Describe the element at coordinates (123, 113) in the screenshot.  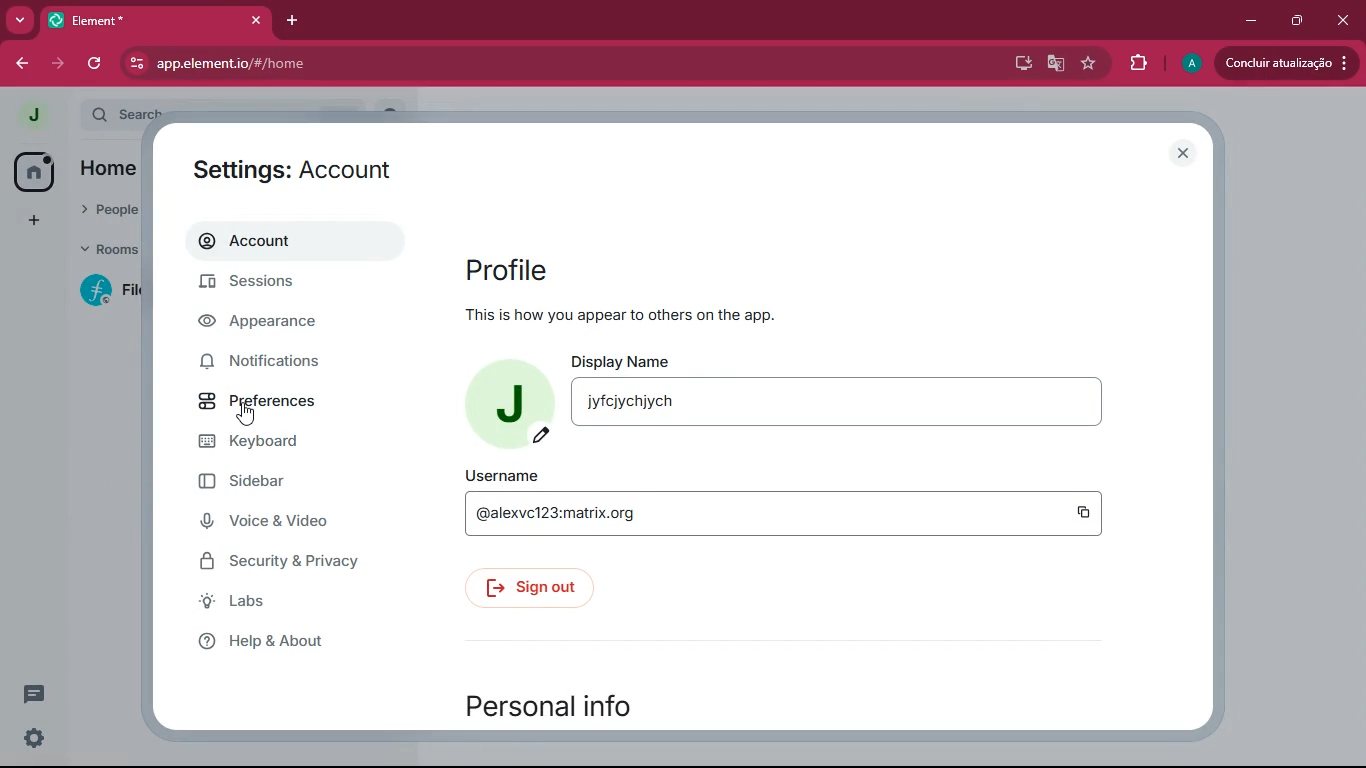
I see `search bar` at that location.